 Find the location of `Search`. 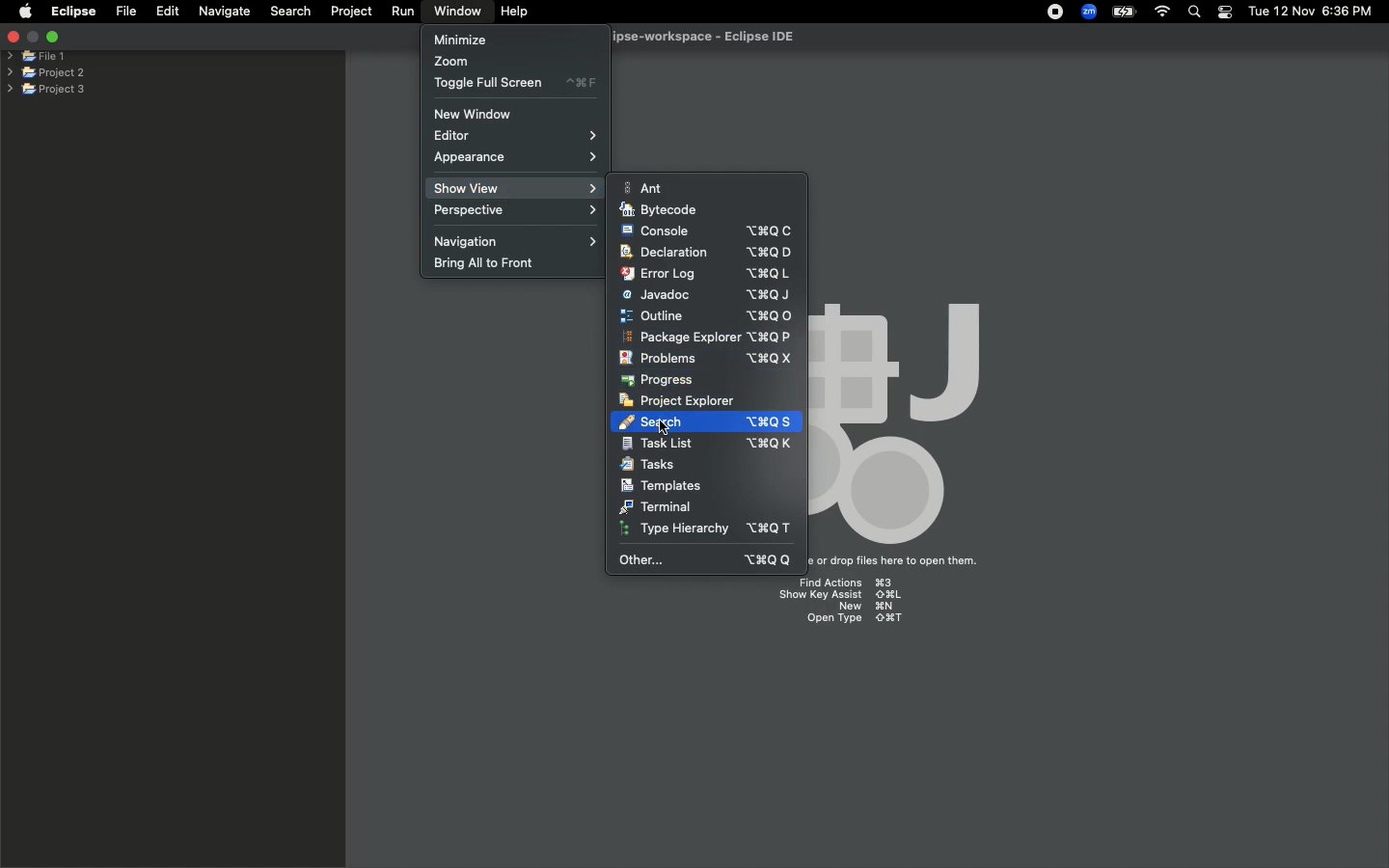

Search is located at coordinates (288, 11).